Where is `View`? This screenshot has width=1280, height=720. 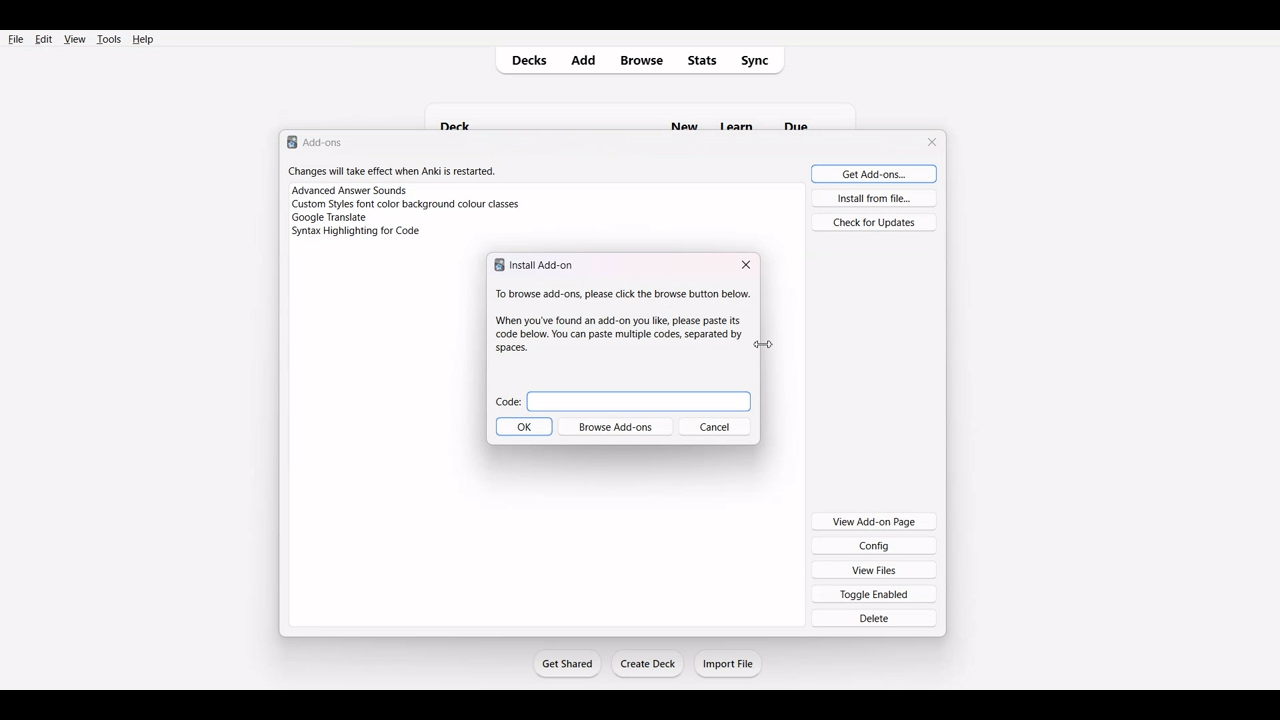 View is located at coordinates (74, 39).